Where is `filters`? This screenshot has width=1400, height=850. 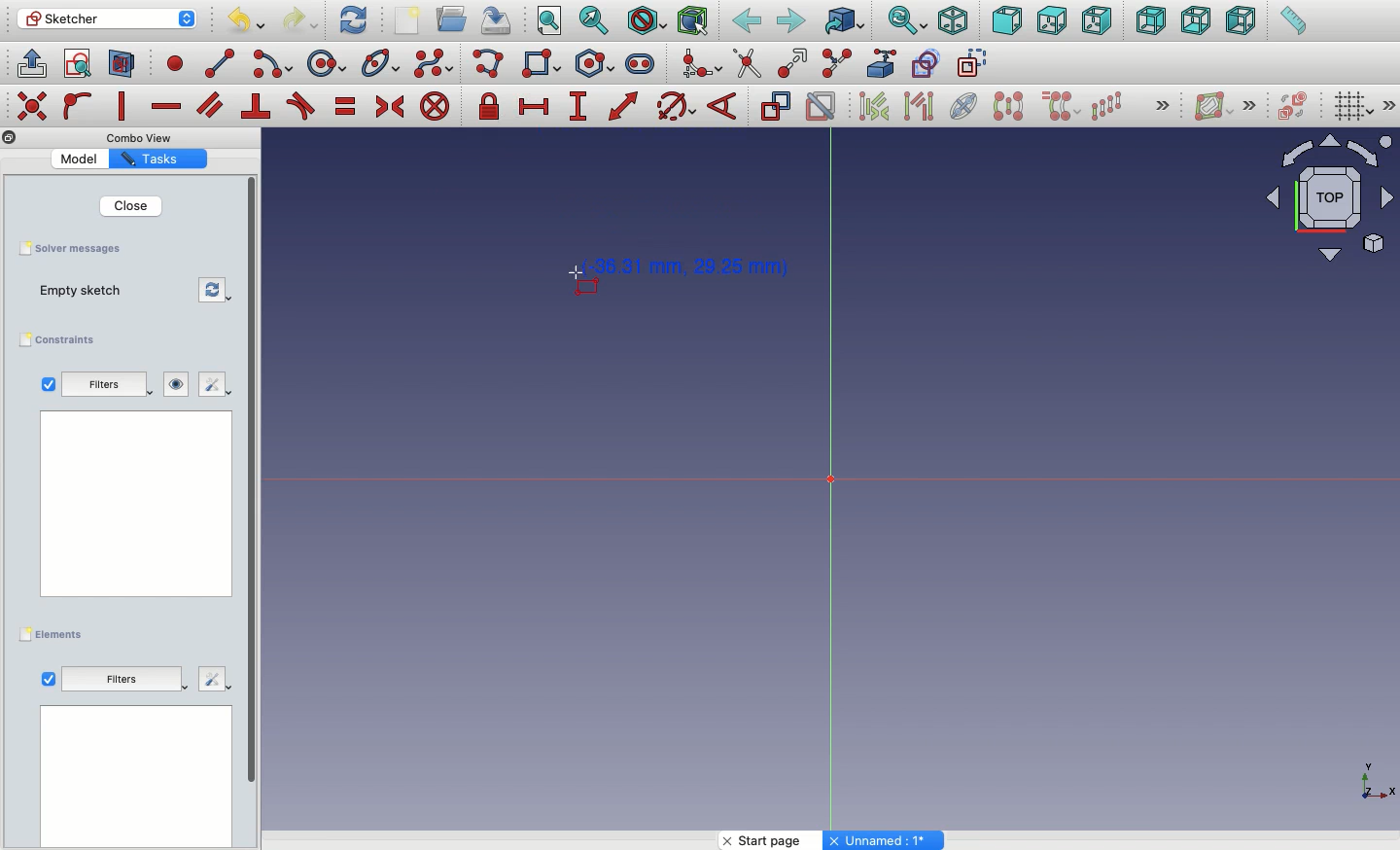
filters is located at coordinates (109, 386).